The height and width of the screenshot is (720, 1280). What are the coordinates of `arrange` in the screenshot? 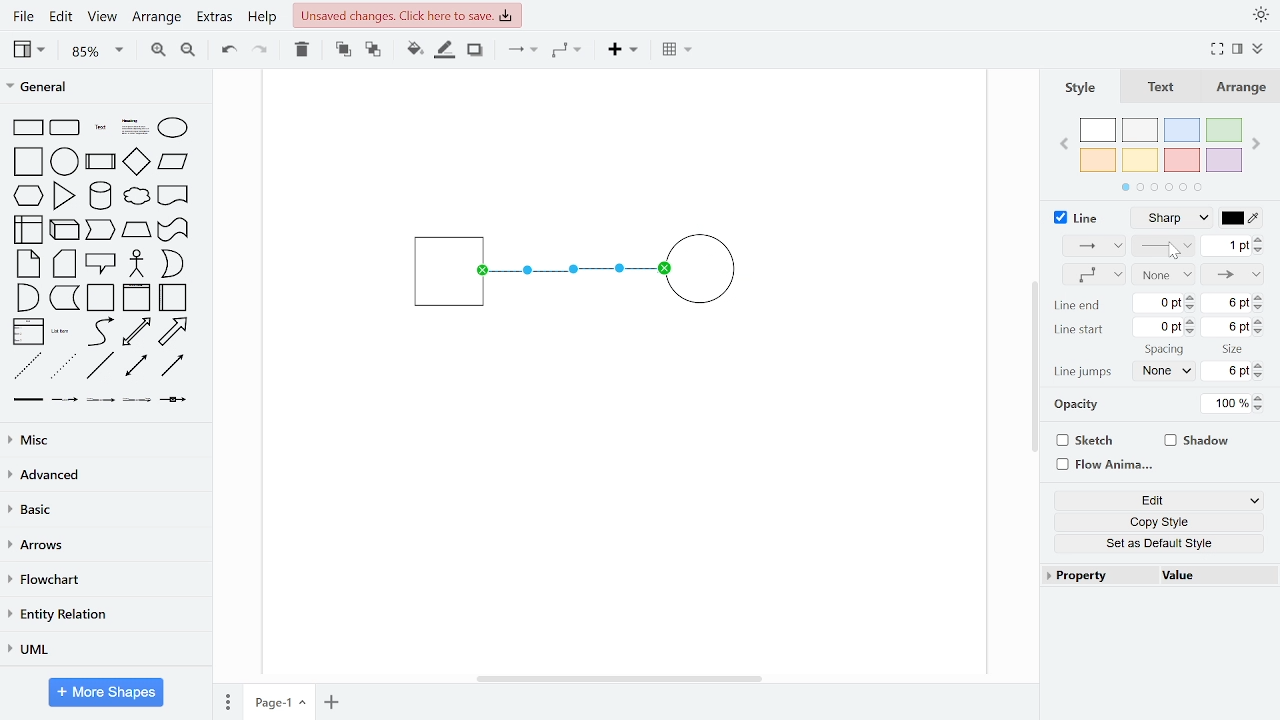 It's located at (1242, 88).